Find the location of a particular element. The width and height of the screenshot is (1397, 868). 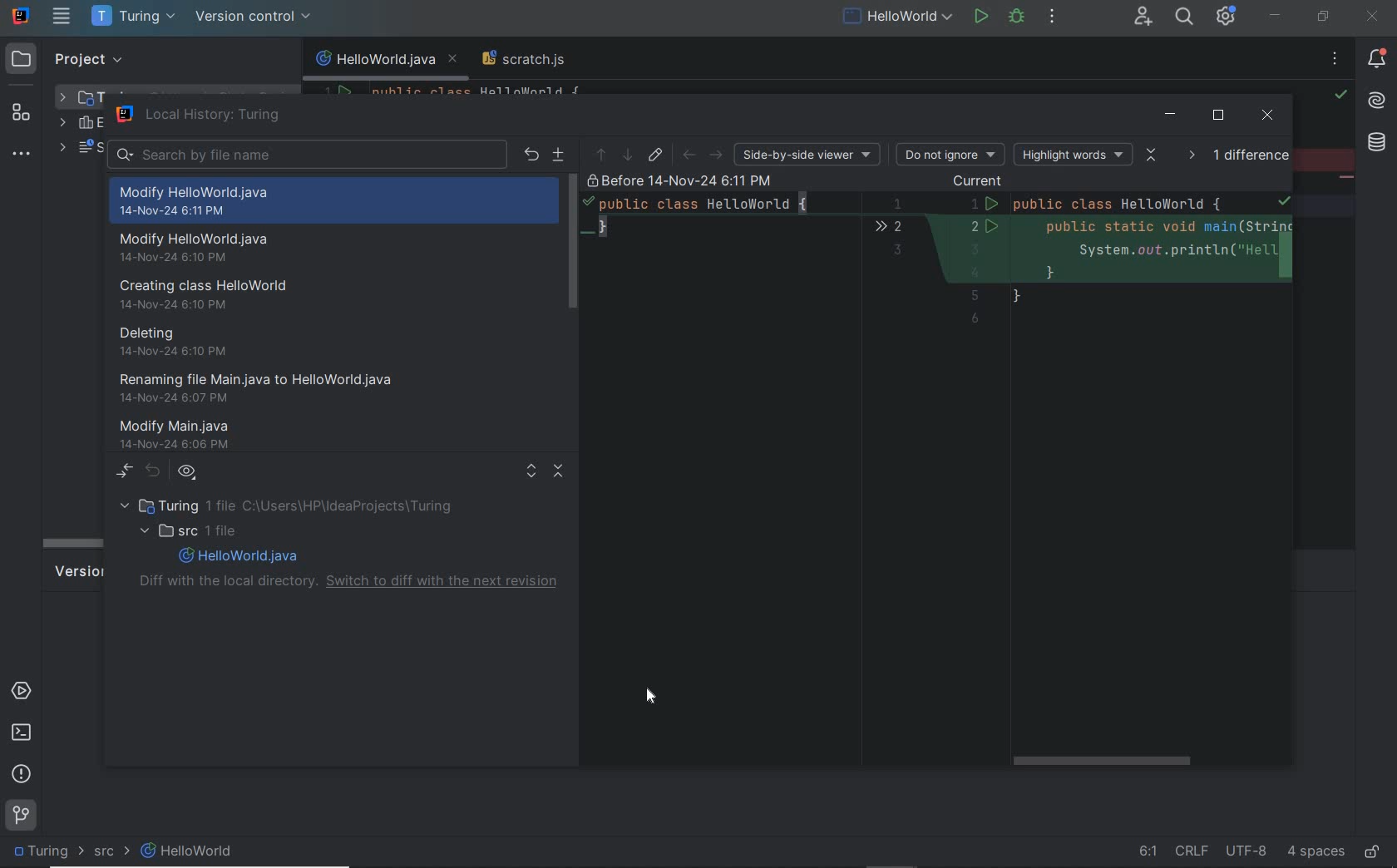

close is located at coordinates (1268, 114).